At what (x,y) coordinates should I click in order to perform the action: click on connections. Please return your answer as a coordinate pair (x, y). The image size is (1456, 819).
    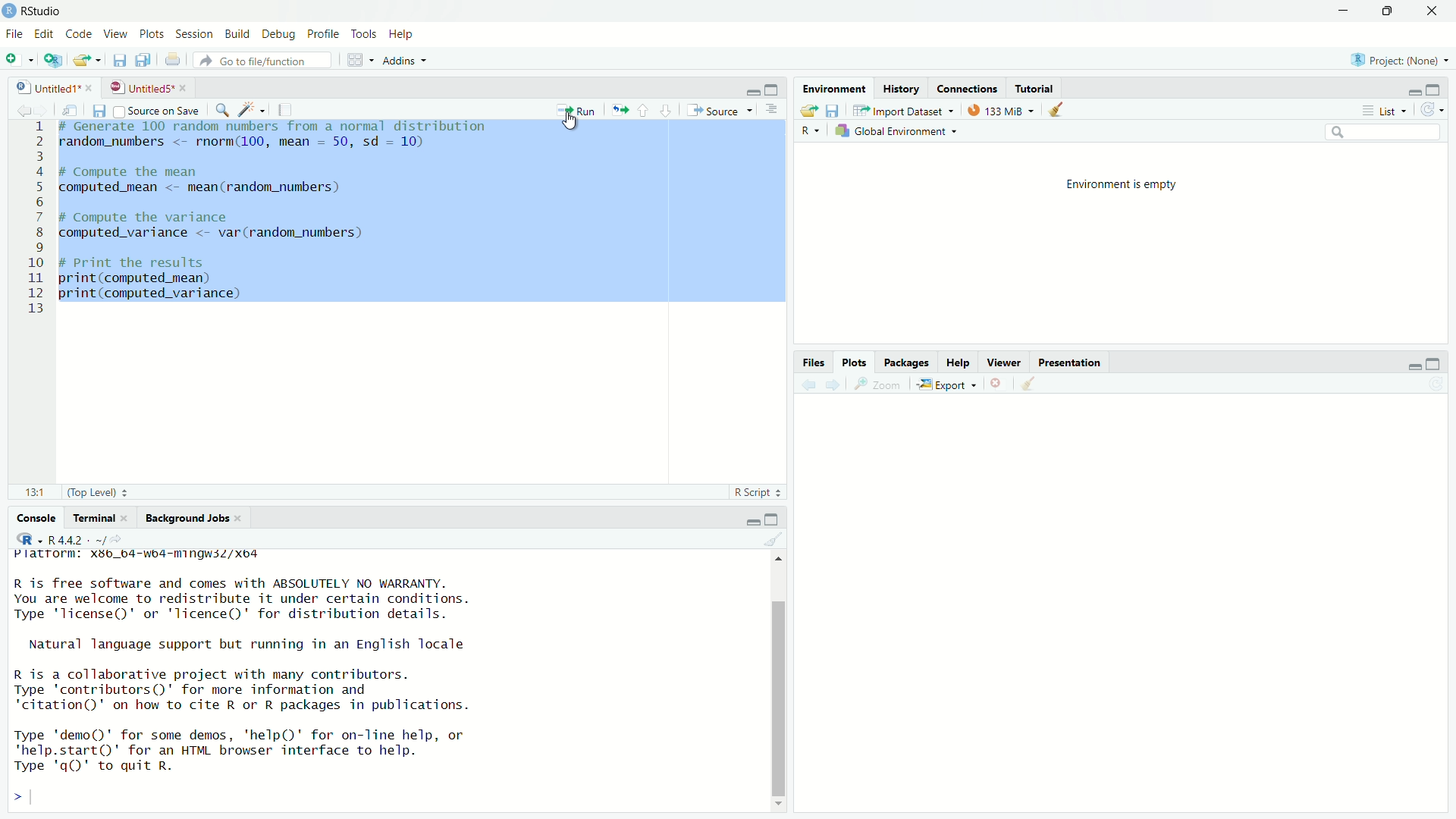
    Looking at the image, I should click on (967, 89).